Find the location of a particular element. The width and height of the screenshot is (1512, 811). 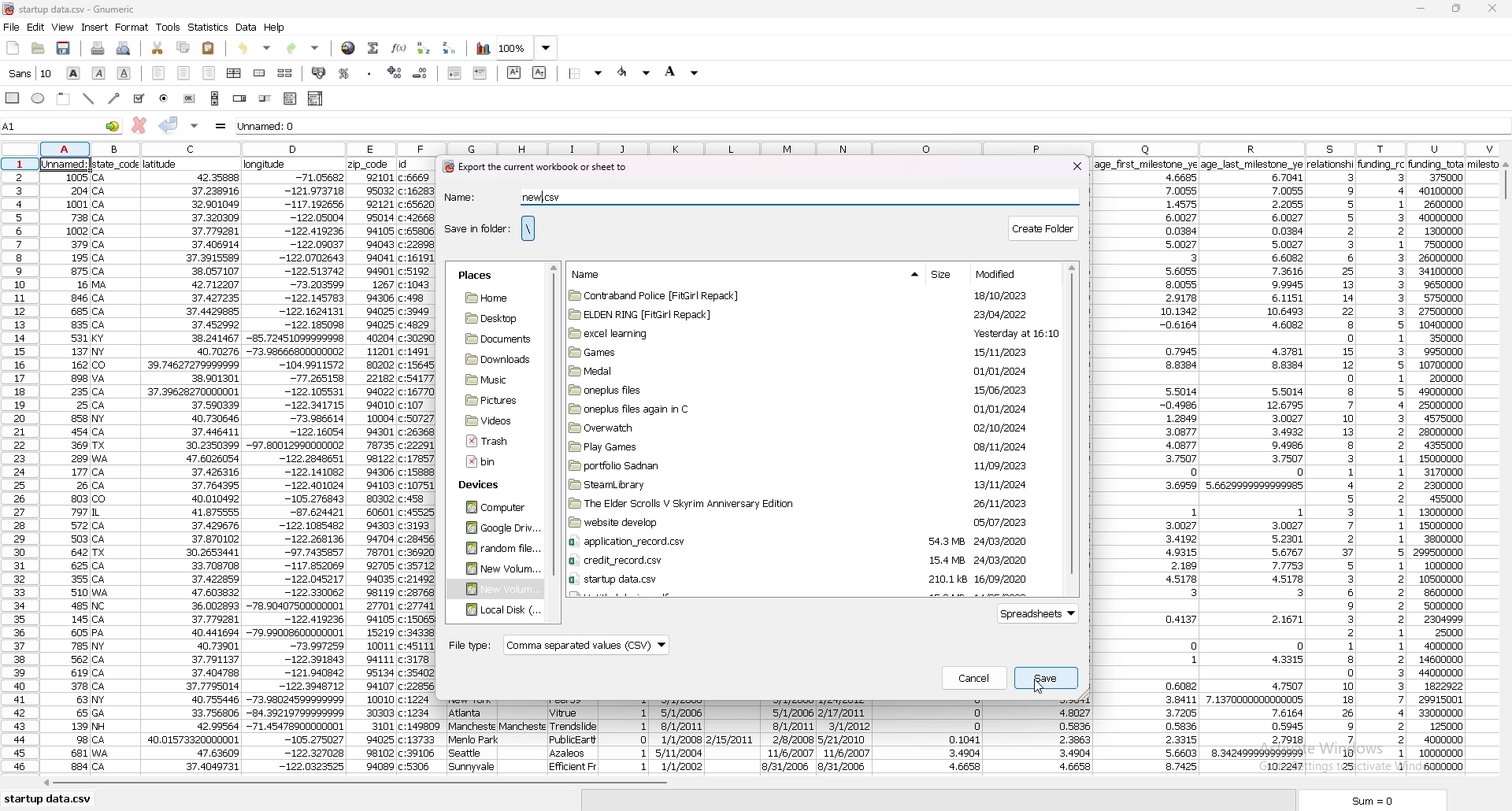

decrease indent is located at coordinates (457, 72).